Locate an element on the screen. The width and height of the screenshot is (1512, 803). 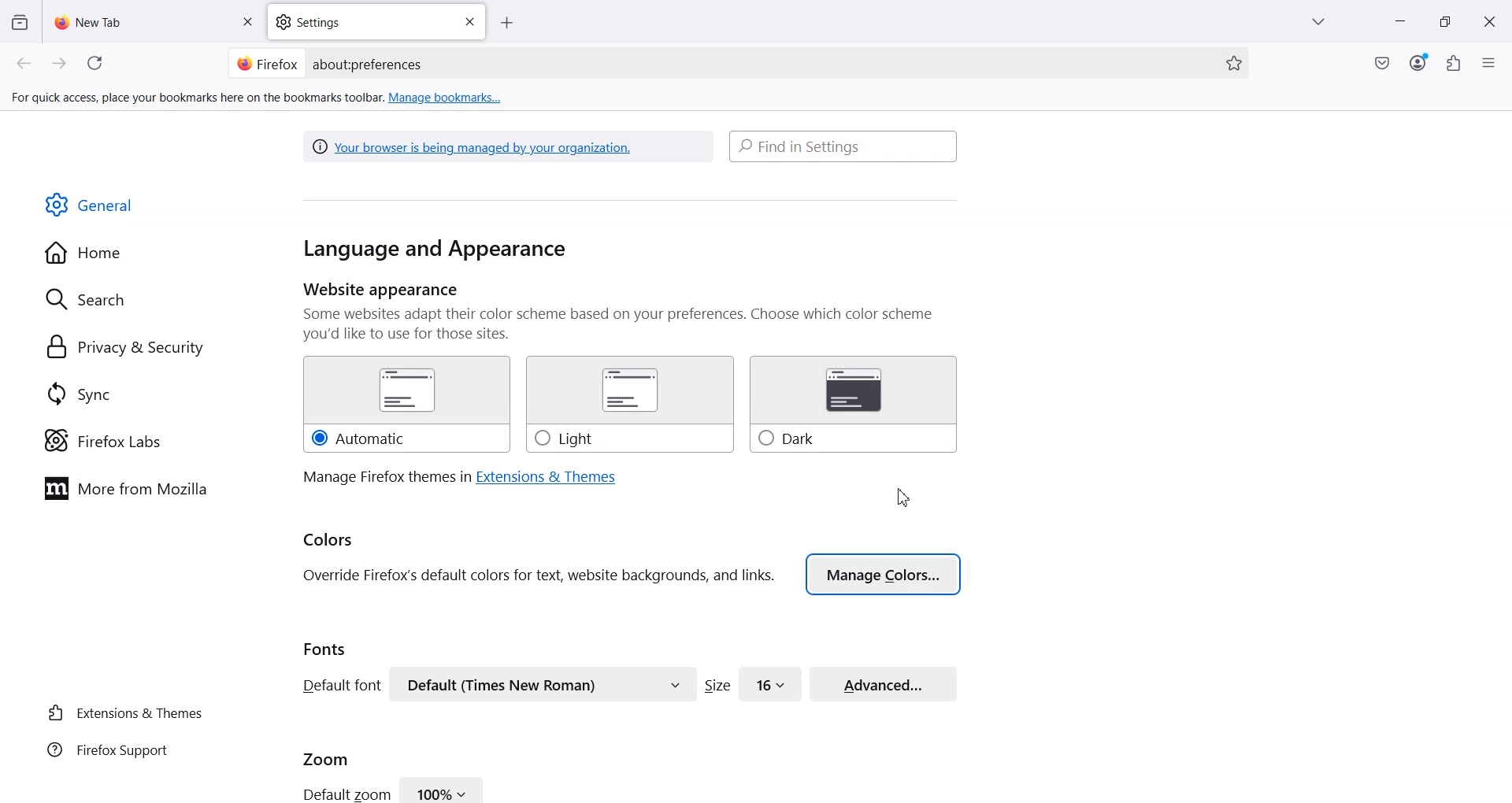
Close is located at coordinates (1489, 22).